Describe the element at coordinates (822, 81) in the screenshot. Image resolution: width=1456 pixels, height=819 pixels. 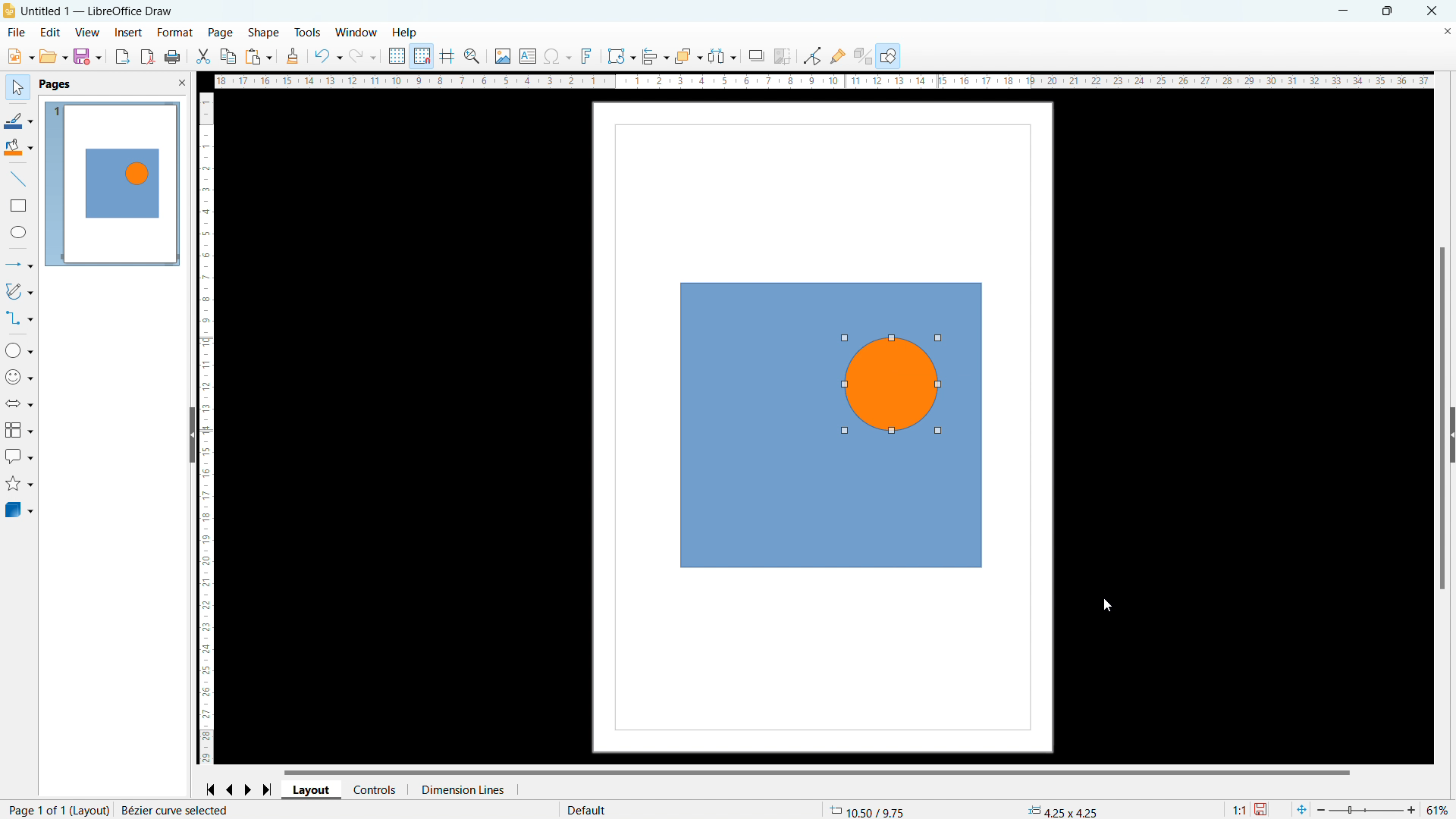
I see `horizontal ruler` at that location.